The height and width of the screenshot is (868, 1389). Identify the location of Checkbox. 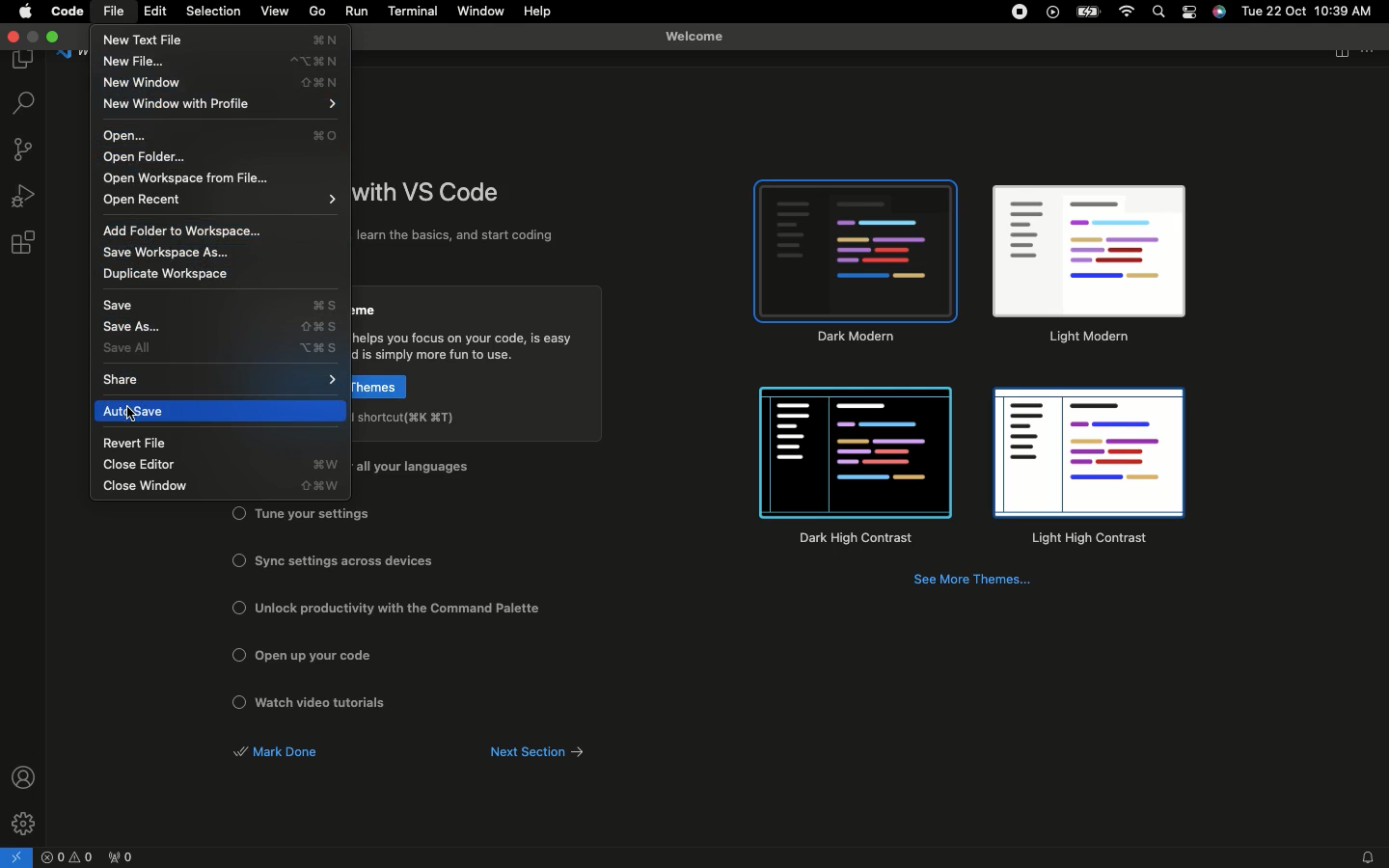
(239, 512).